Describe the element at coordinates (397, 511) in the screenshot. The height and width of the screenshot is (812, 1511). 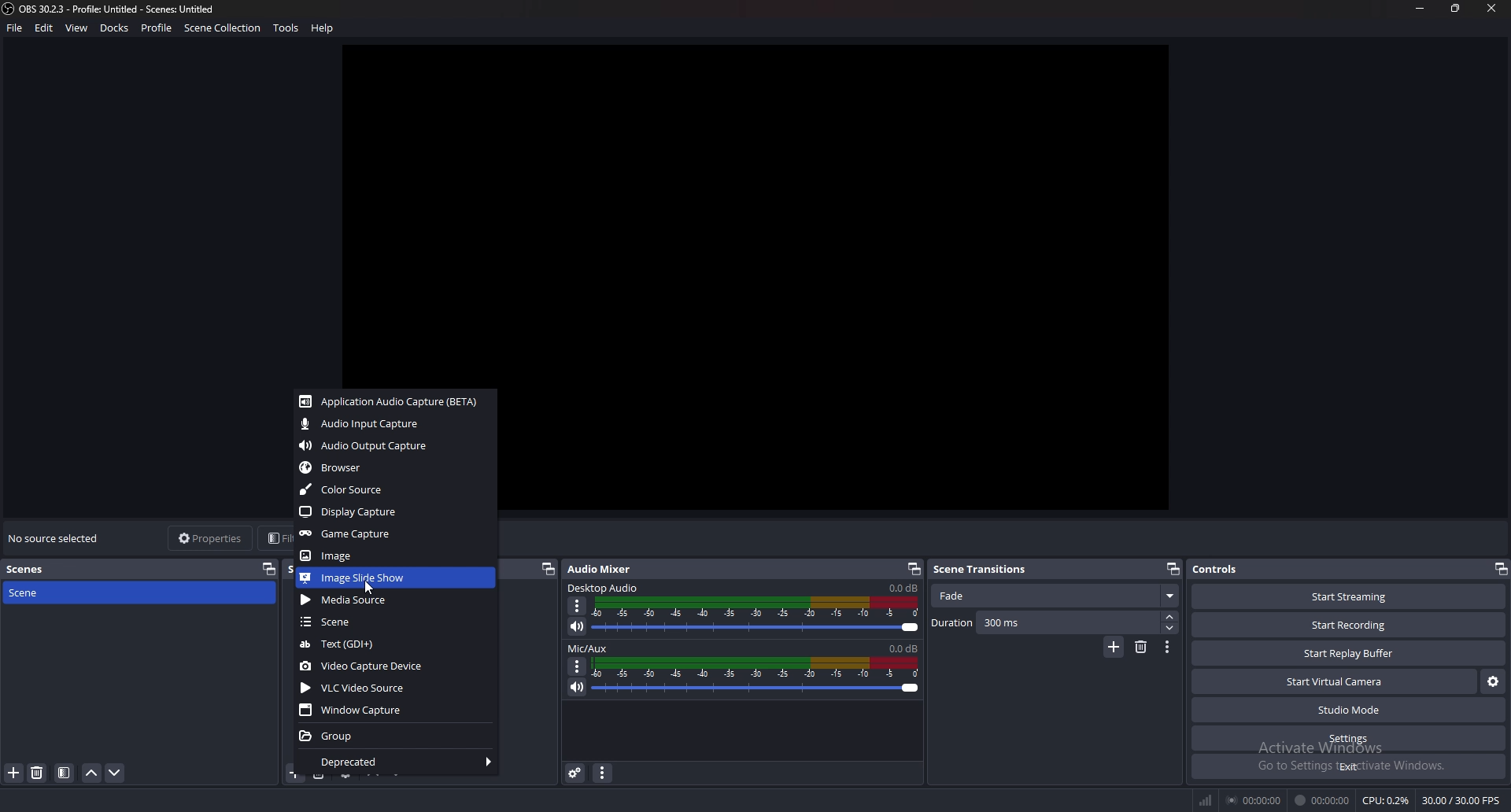
I see `display capture` at that location.